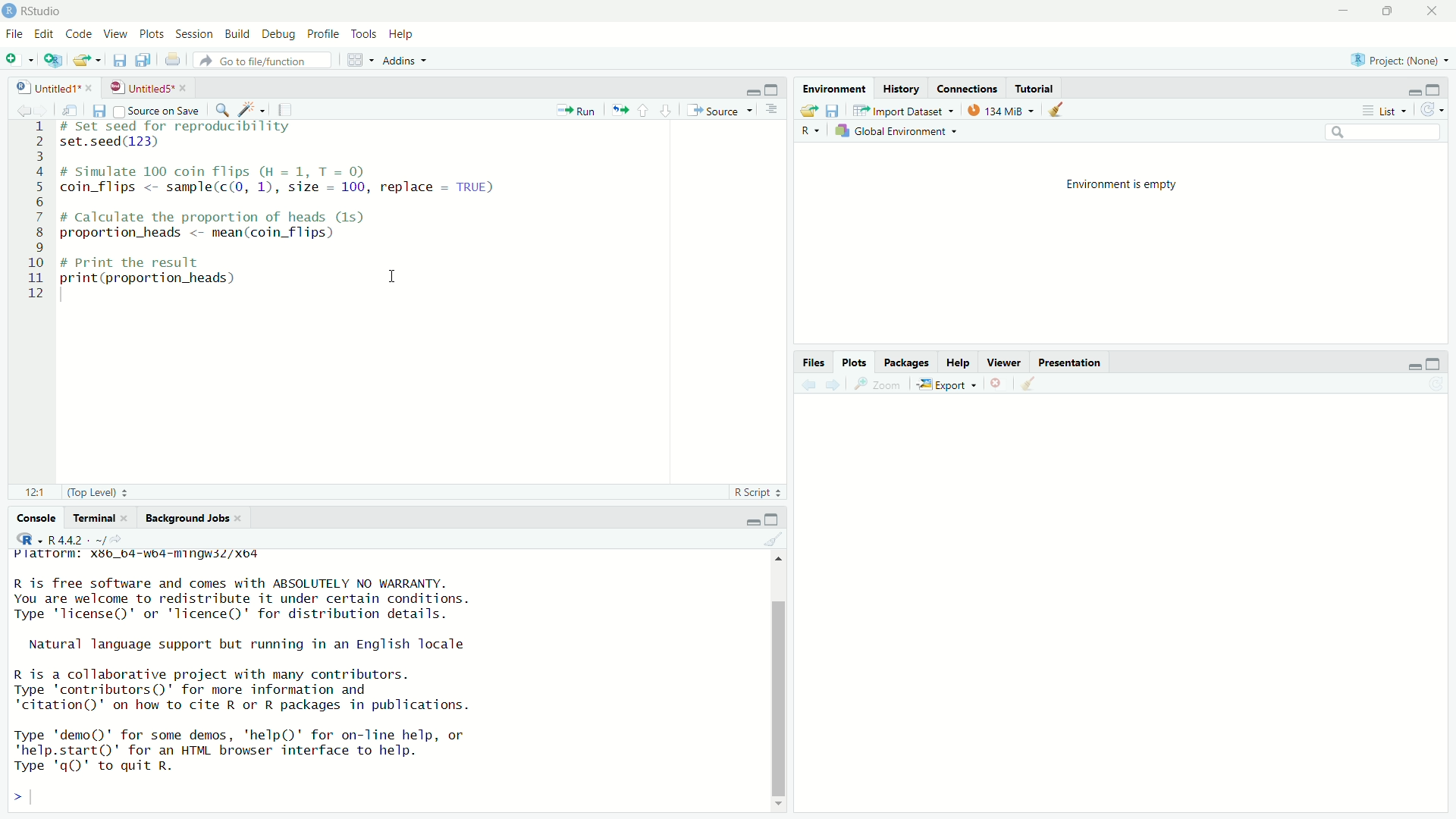  I want to click on R 4.4.2 . ~/, so click(80, 540).